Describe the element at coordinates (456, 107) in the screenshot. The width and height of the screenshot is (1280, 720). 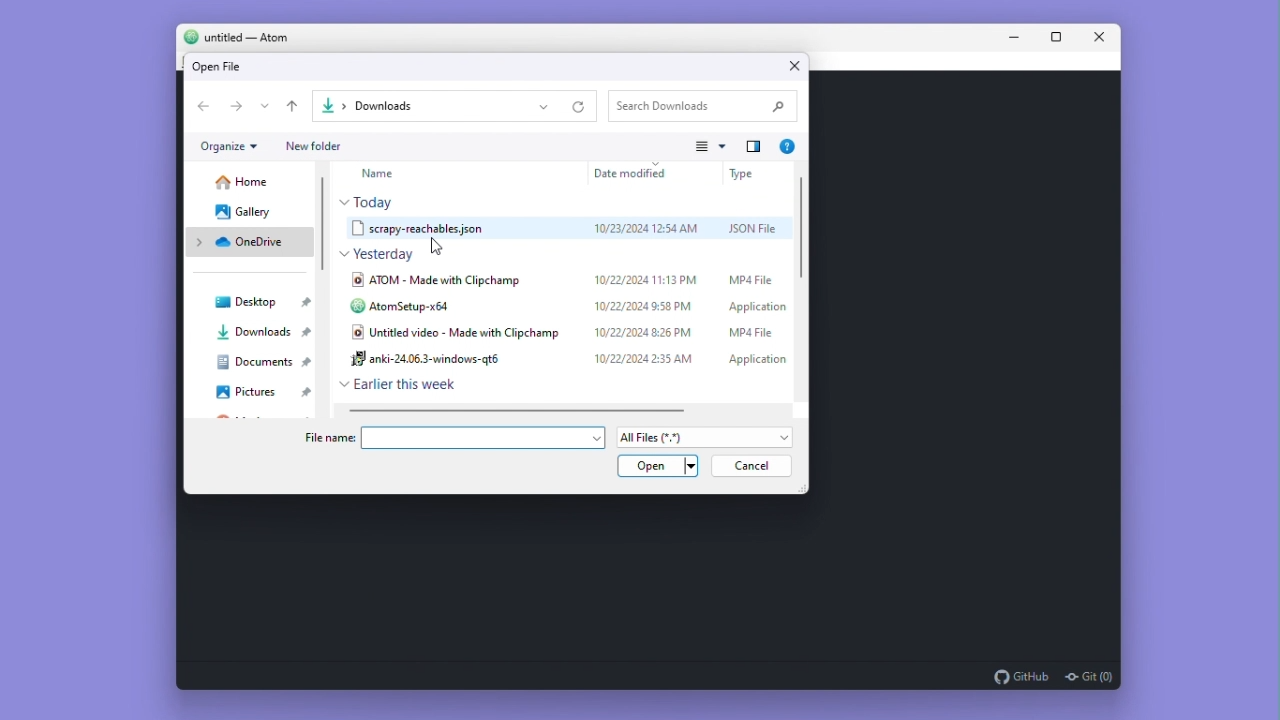
I see `Downloads` at that location.